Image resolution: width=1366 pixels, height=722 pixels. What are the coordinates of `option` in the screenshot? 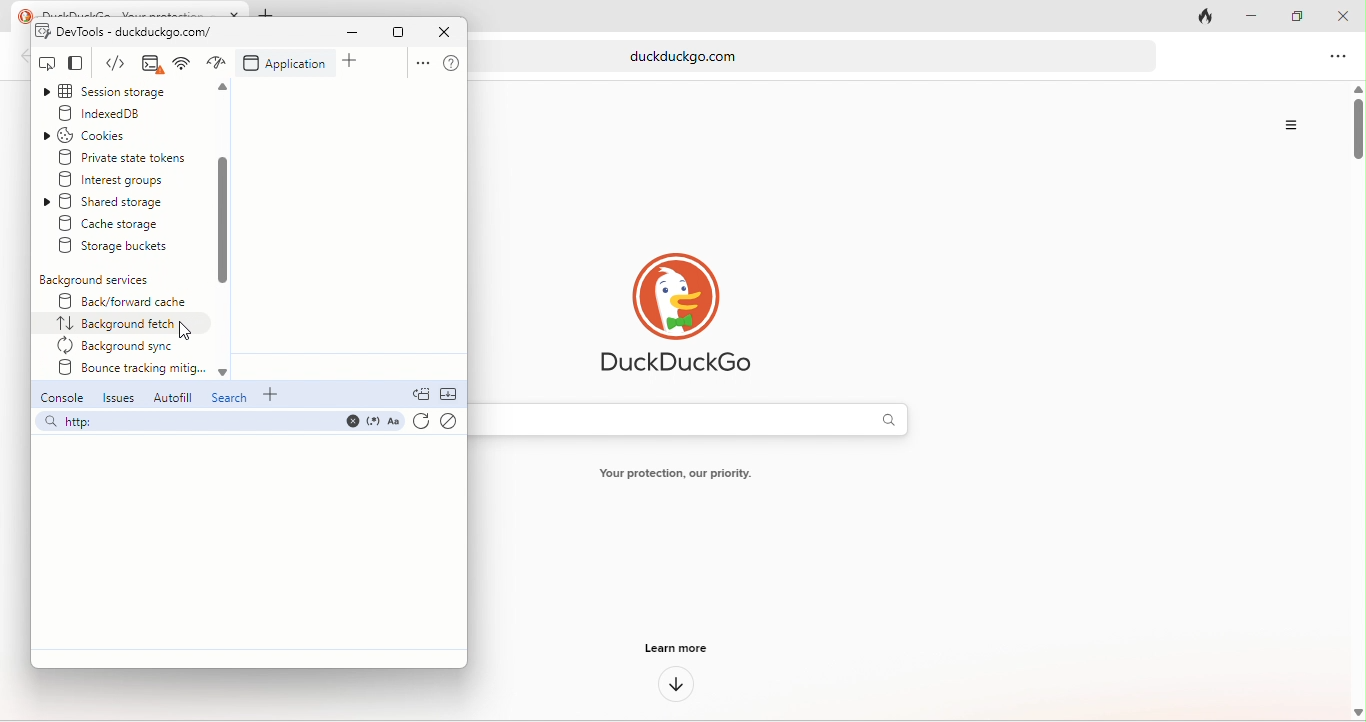 It's located at (419, 65).